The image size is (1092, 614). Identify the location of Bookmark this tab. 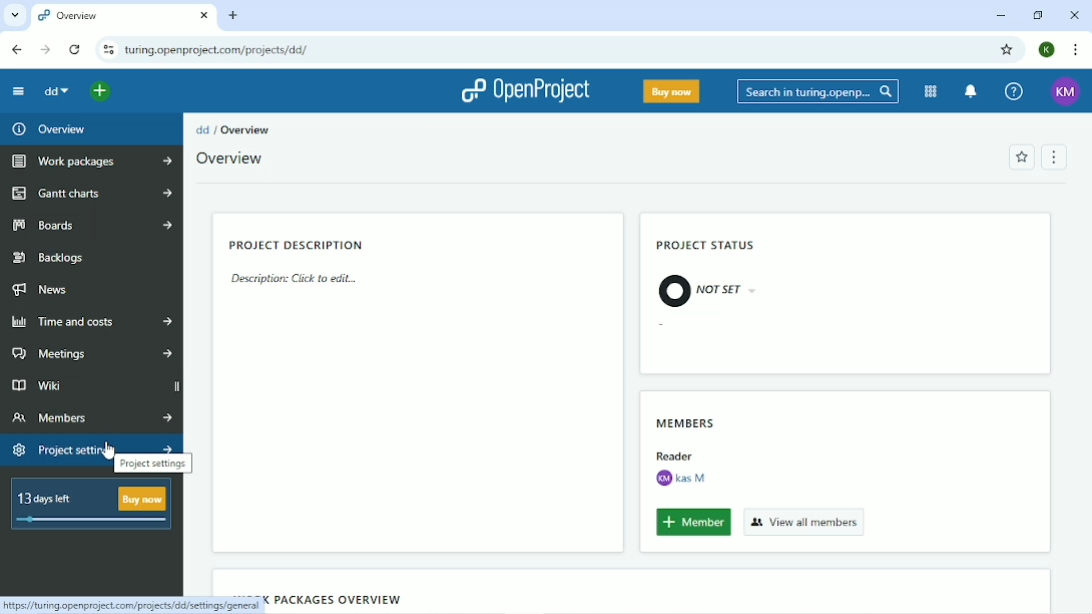
(1007, 50).